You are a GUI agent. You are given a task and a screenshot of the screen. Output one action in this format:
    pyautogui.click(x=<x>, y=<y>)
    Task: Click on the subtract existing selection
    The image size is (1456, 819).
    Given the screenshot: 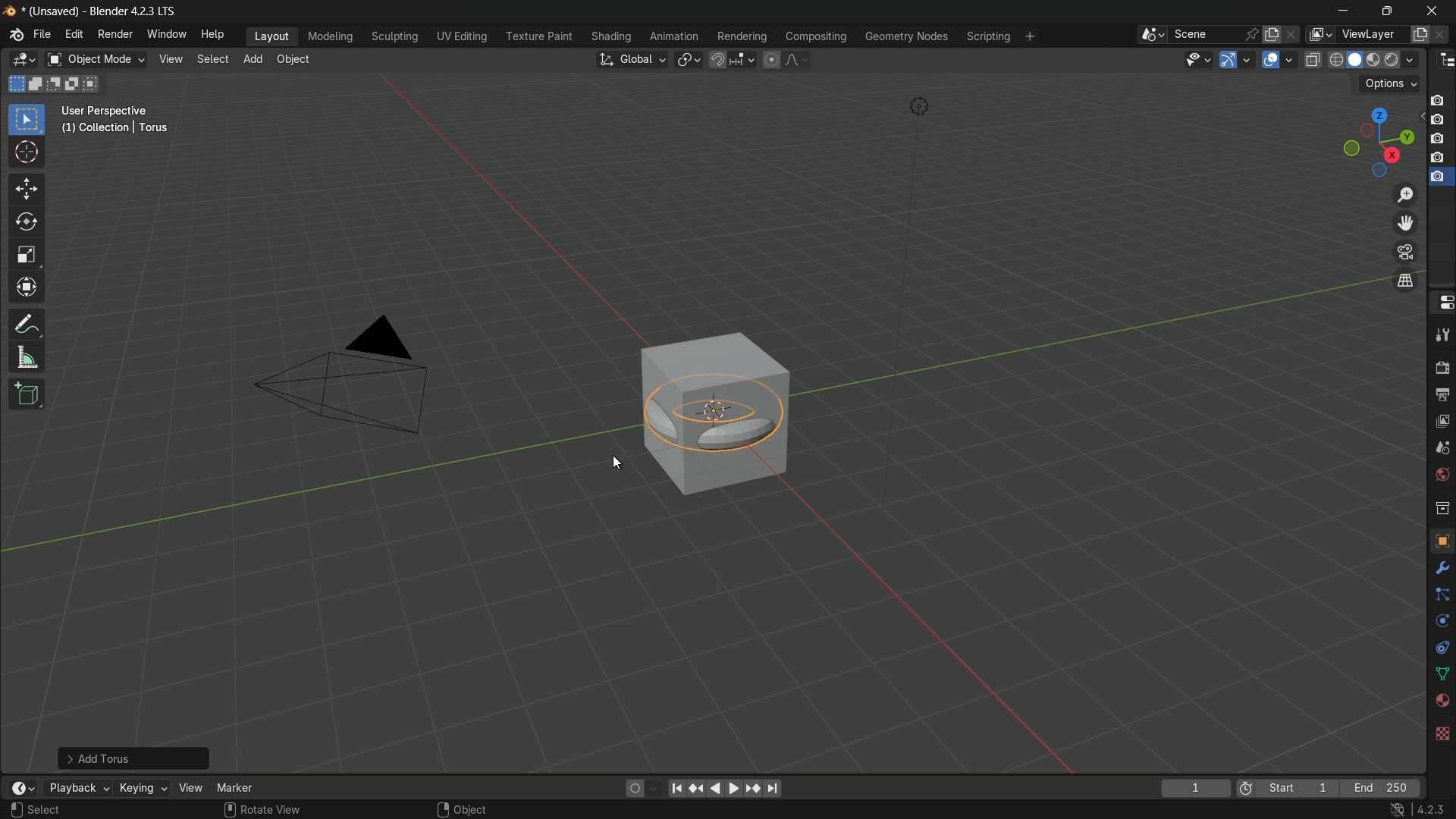 What is the action you would take?
    pyautogui.click(x=57, y=84)
    